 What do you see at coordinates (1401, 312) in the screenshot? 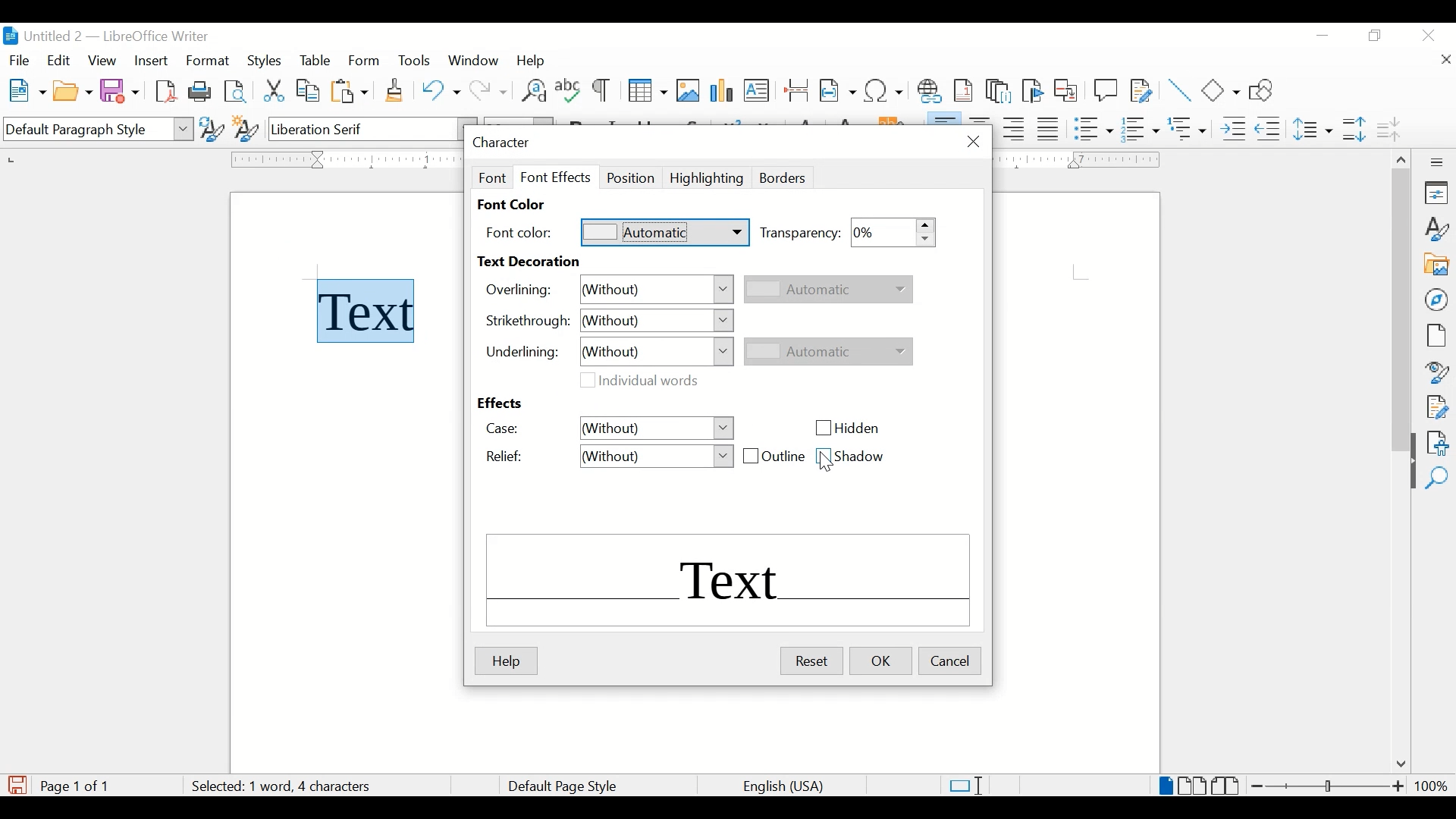
I see `scroll box` at bounding box center [1401, 312].